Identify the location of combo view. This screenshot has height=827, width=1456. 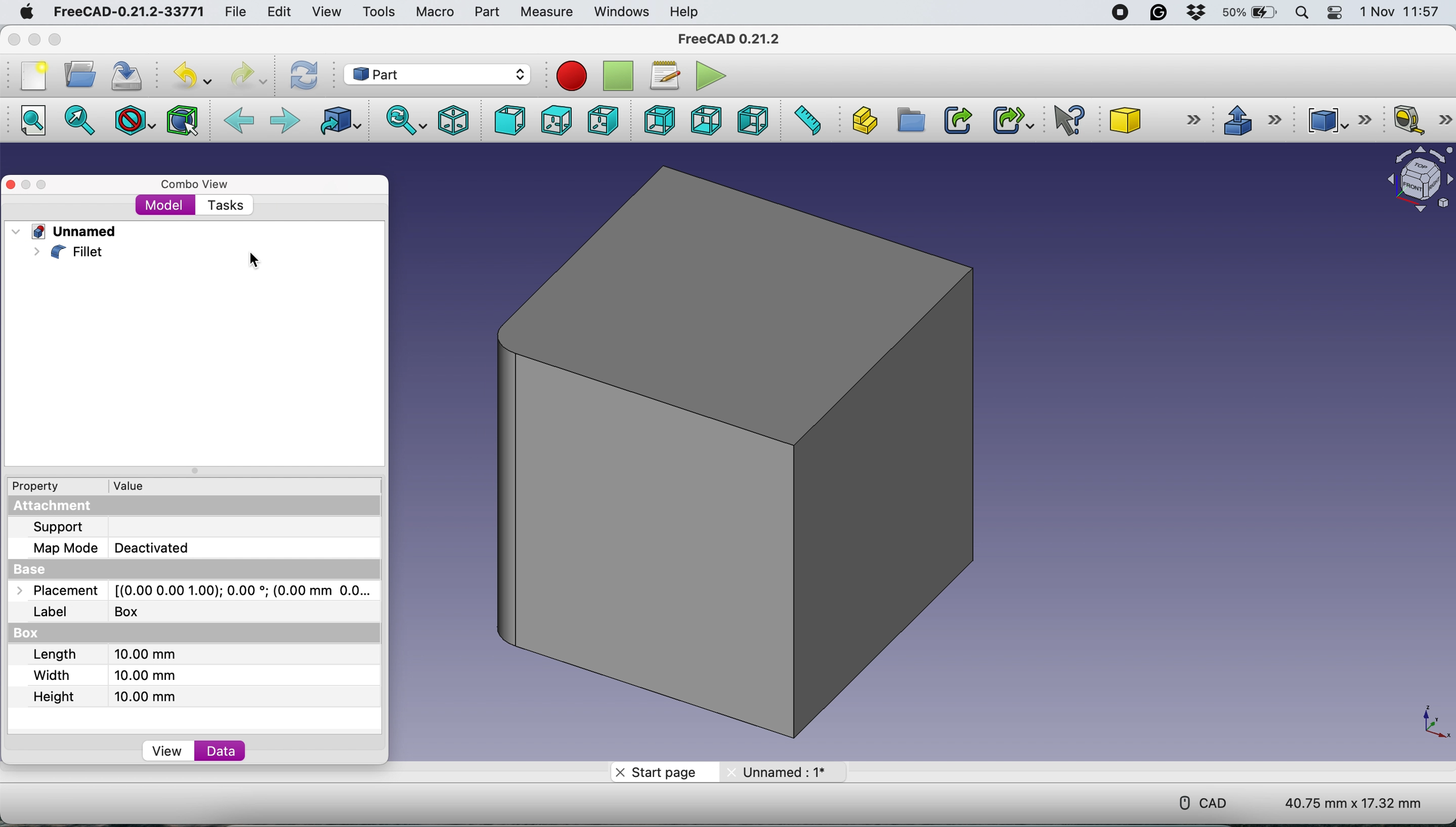
(197, 185).